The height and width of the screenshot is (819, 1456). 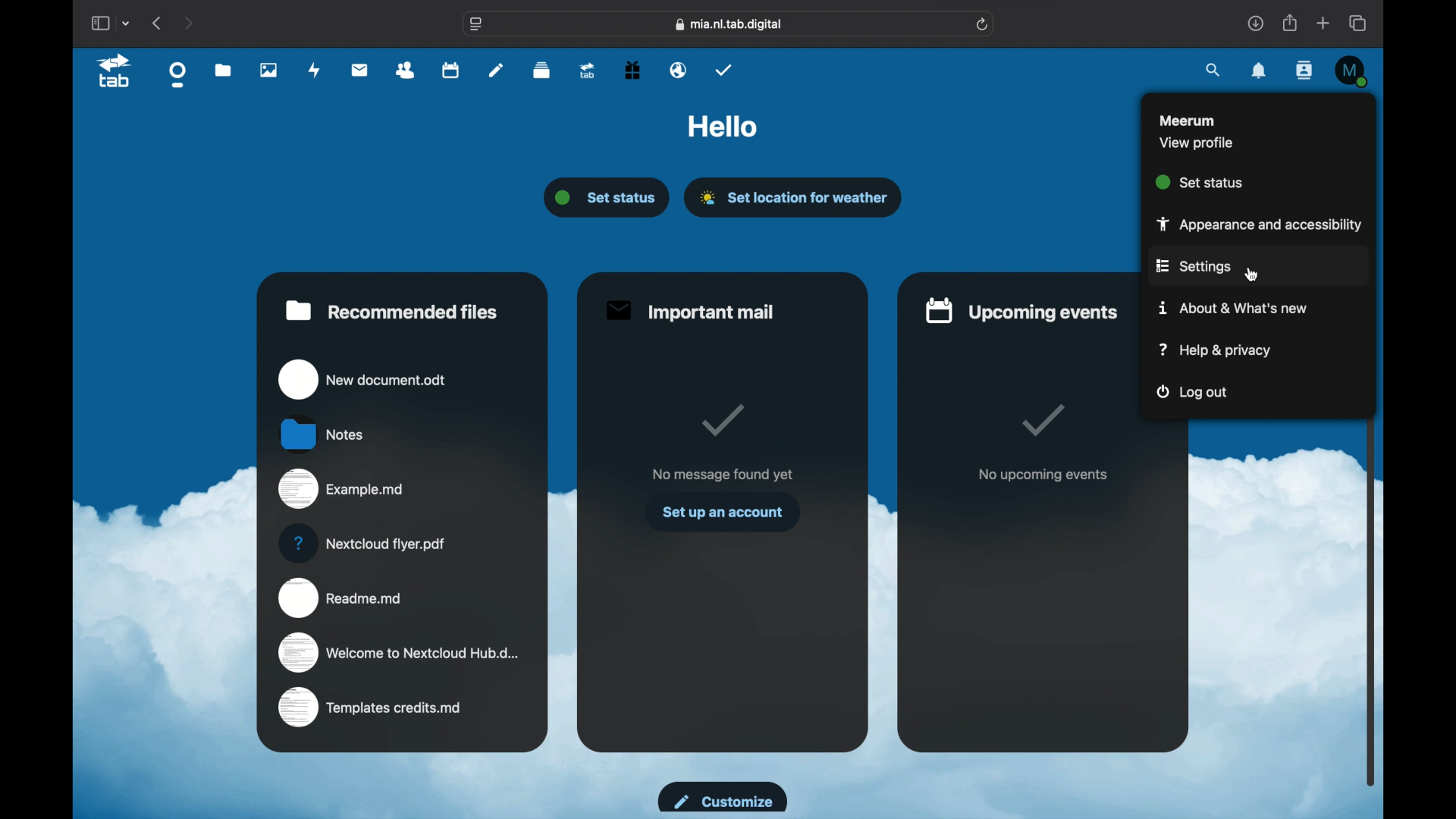 I want to click on templates, so click(x=369, y=706).